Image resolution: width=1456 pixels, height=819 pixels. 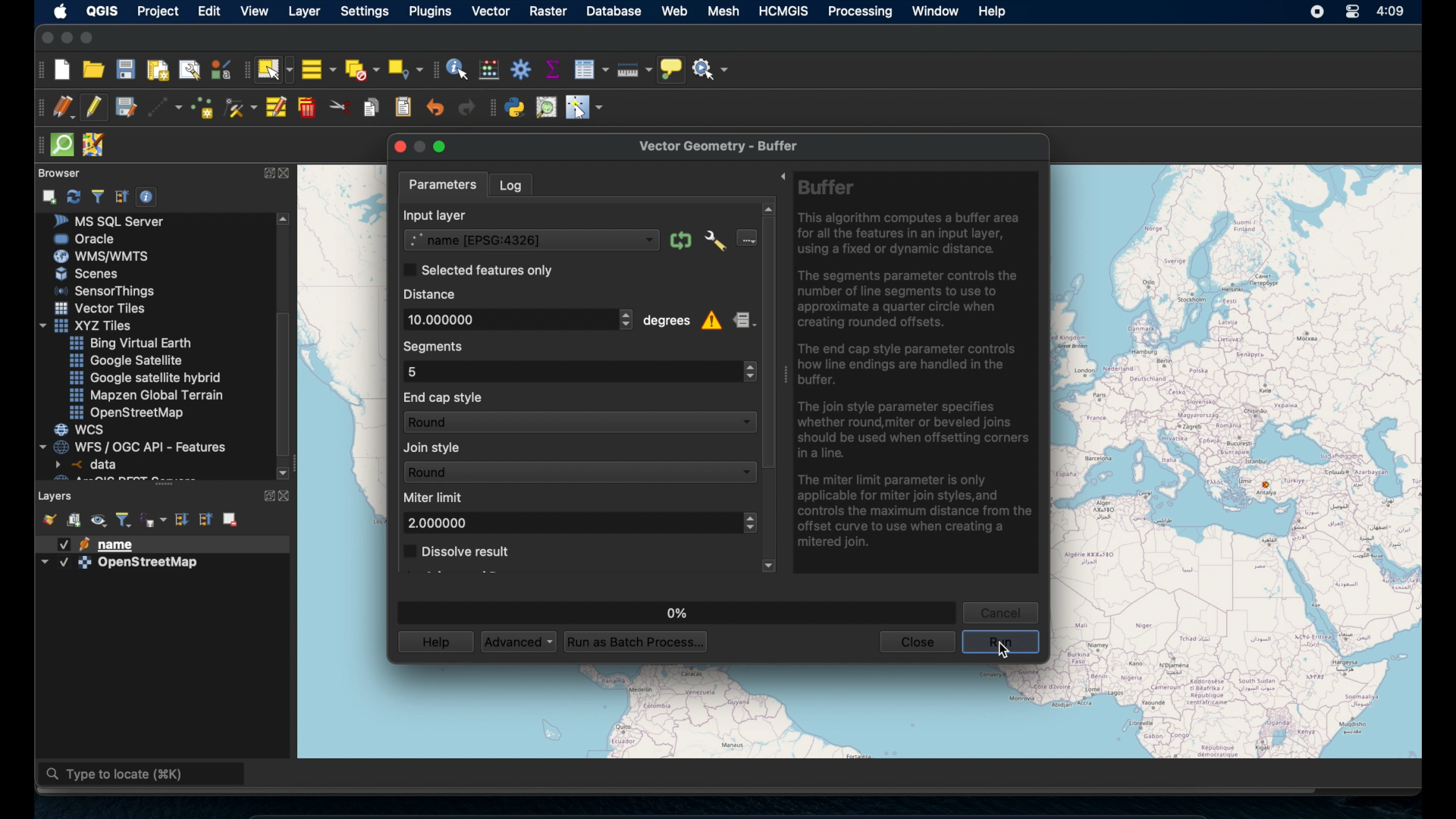 What do you see at coordinates (105, 290) in the screenshot?
I see `sensor things` at bounding box center [105, 290].